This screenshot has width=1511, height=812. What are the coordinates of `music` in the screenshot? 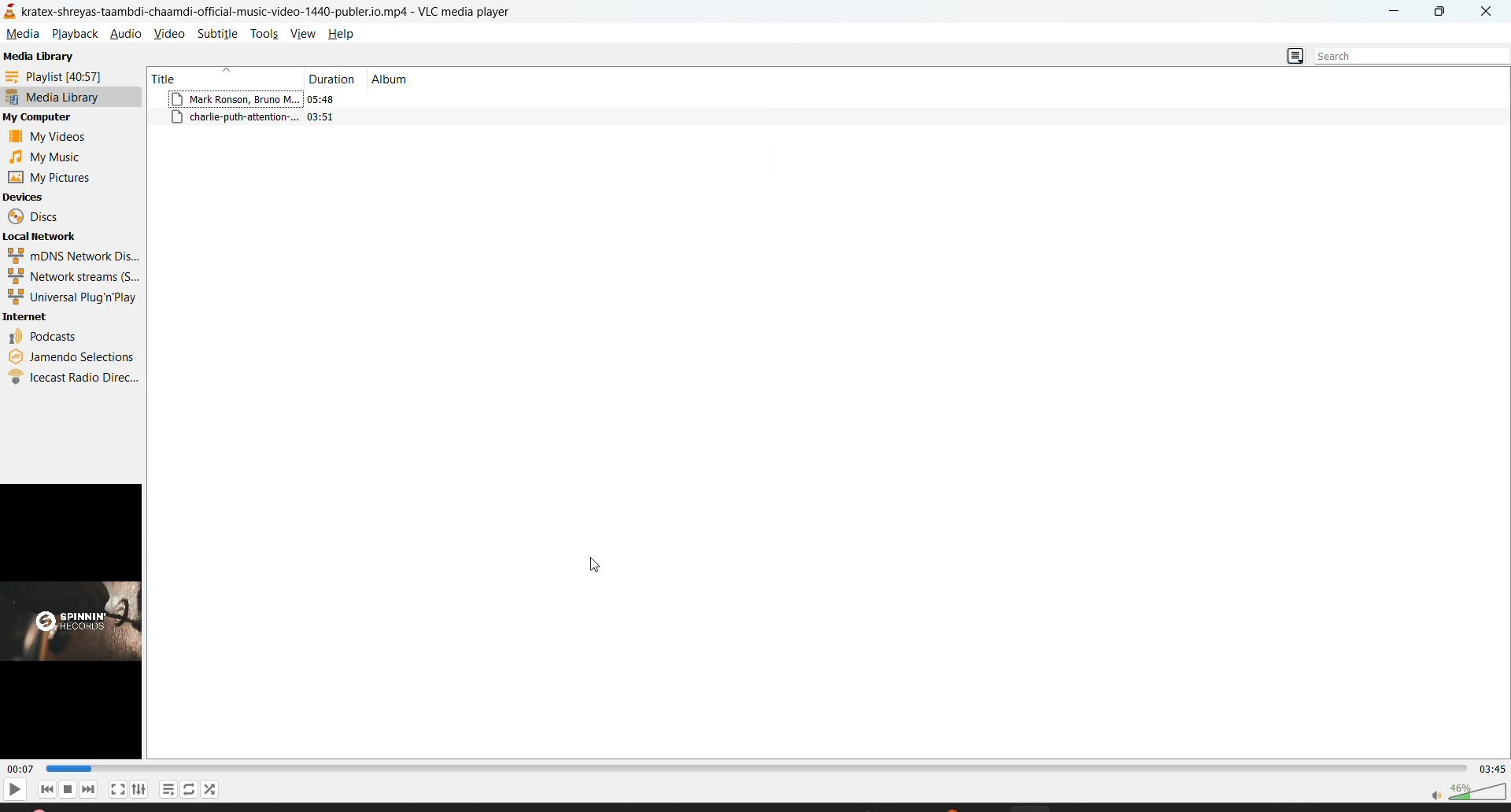 It's located at (51, 157).